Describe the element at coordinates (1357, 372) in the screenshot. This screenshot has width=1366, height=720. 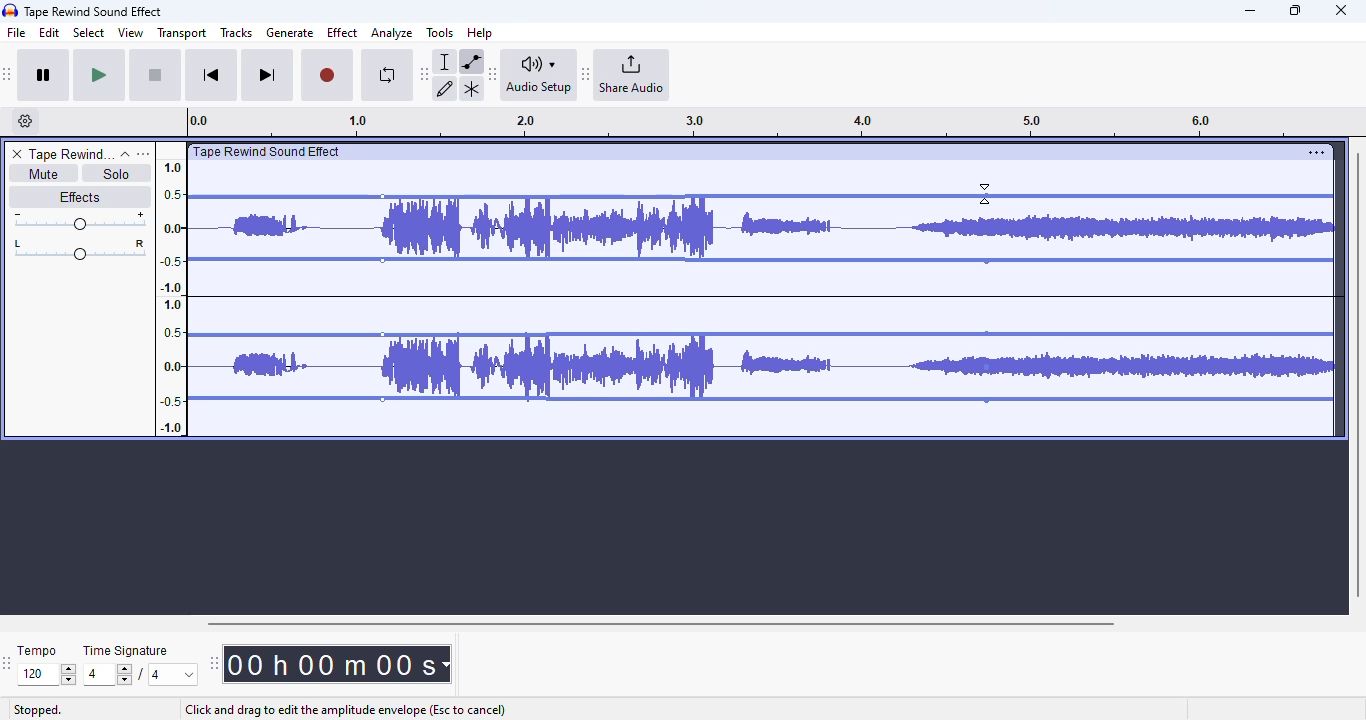
I see `vertical scroll bar` at that location.